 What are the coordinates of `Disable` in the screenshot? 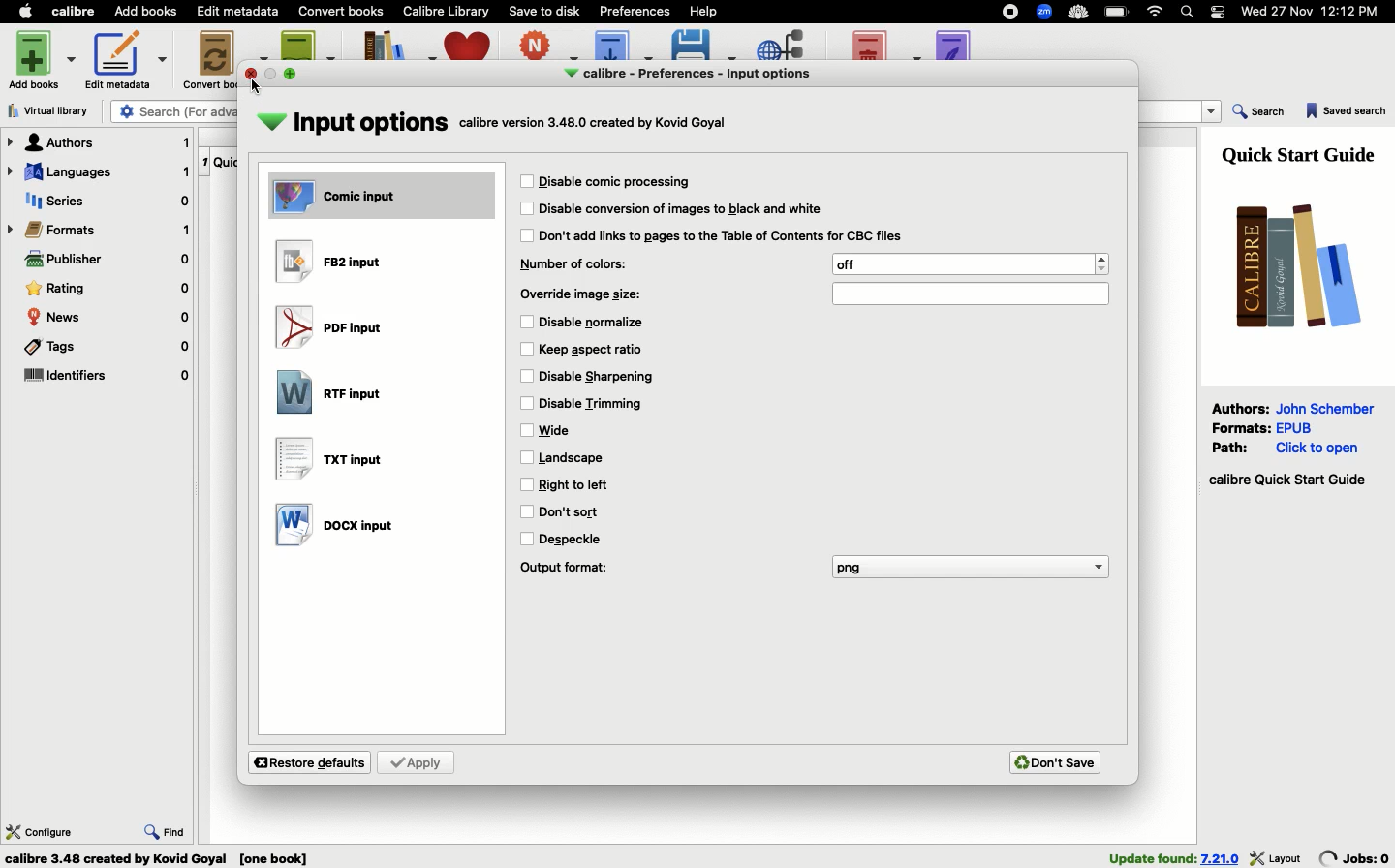 It's located at (616, 183).